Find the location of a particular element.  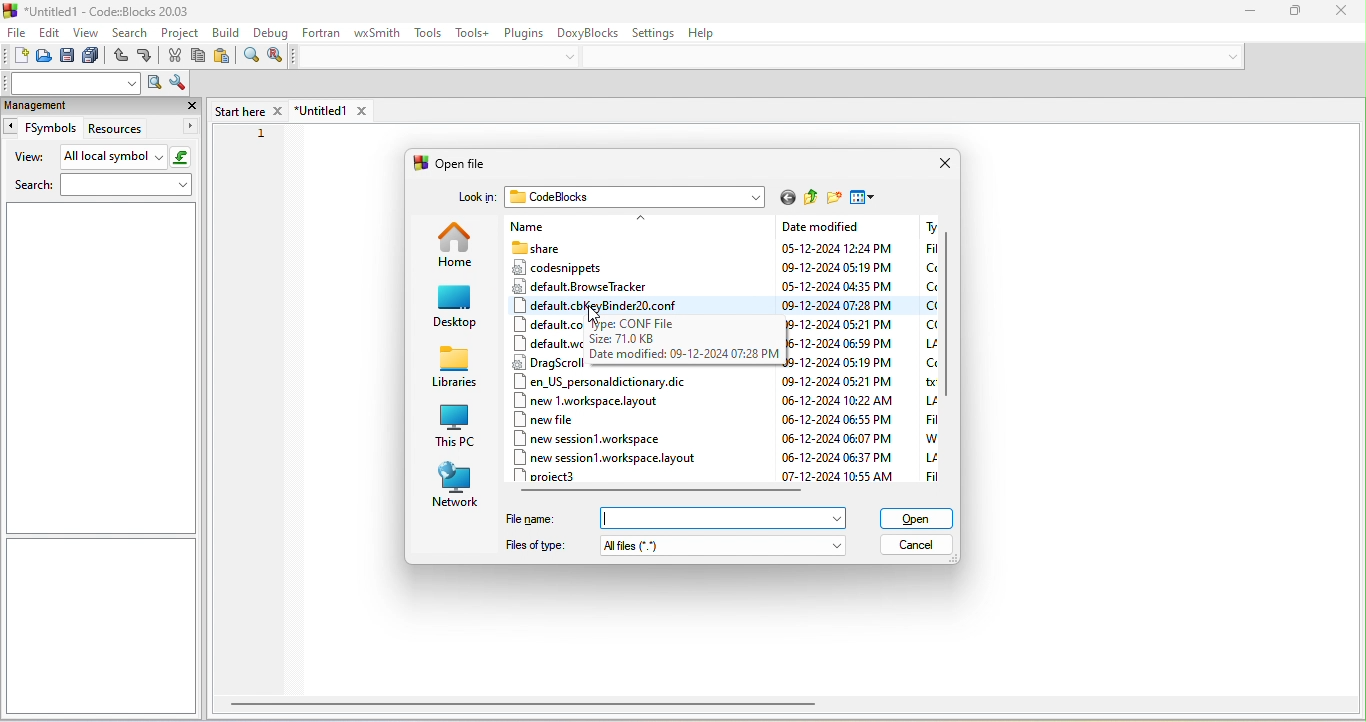

new file is located at coordinates (548, 419).